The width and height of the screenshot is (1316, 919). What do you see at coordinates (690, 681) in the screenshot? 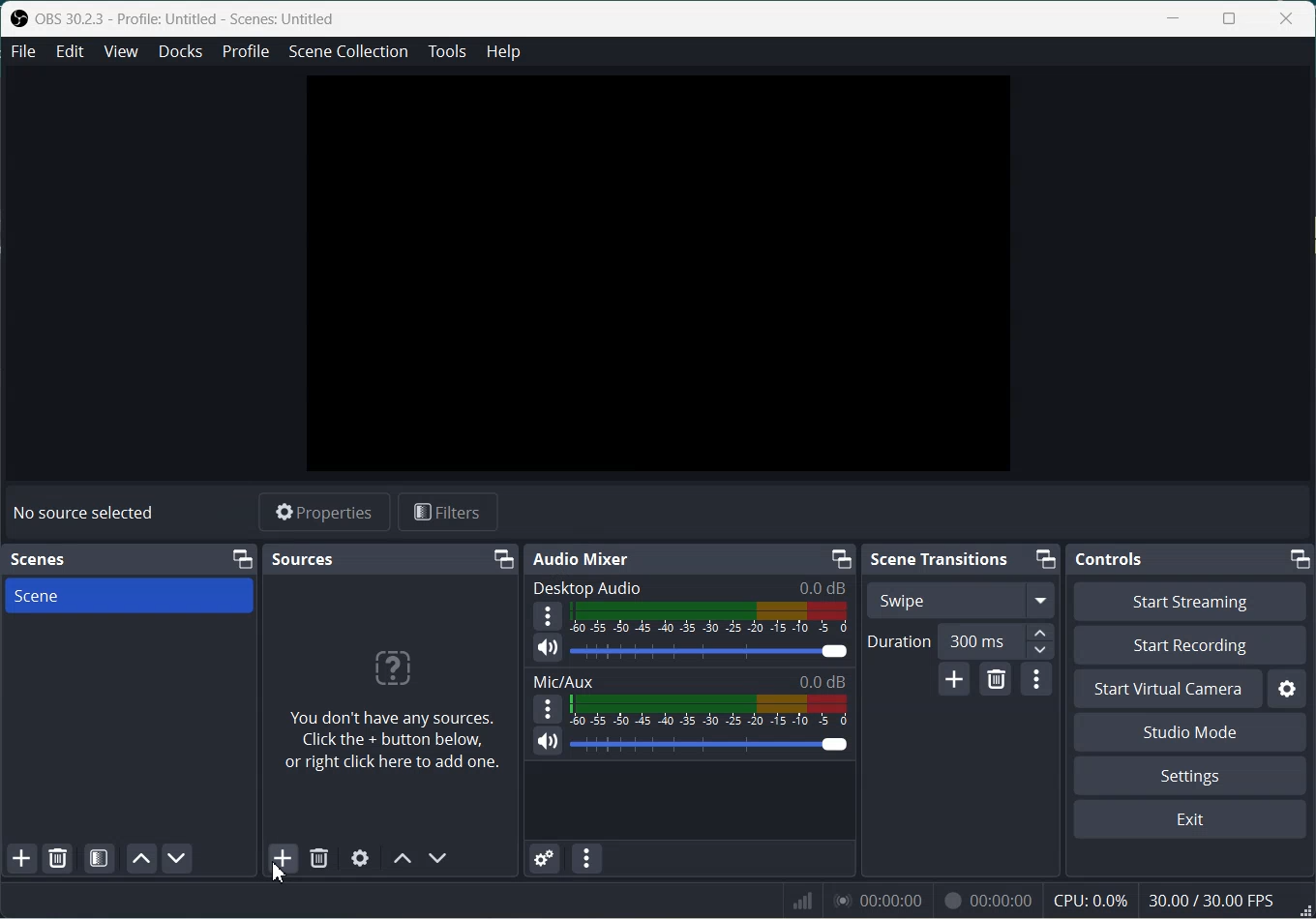
I see `Mic/Aux 0.0dB` at bounding box center [690, 681].